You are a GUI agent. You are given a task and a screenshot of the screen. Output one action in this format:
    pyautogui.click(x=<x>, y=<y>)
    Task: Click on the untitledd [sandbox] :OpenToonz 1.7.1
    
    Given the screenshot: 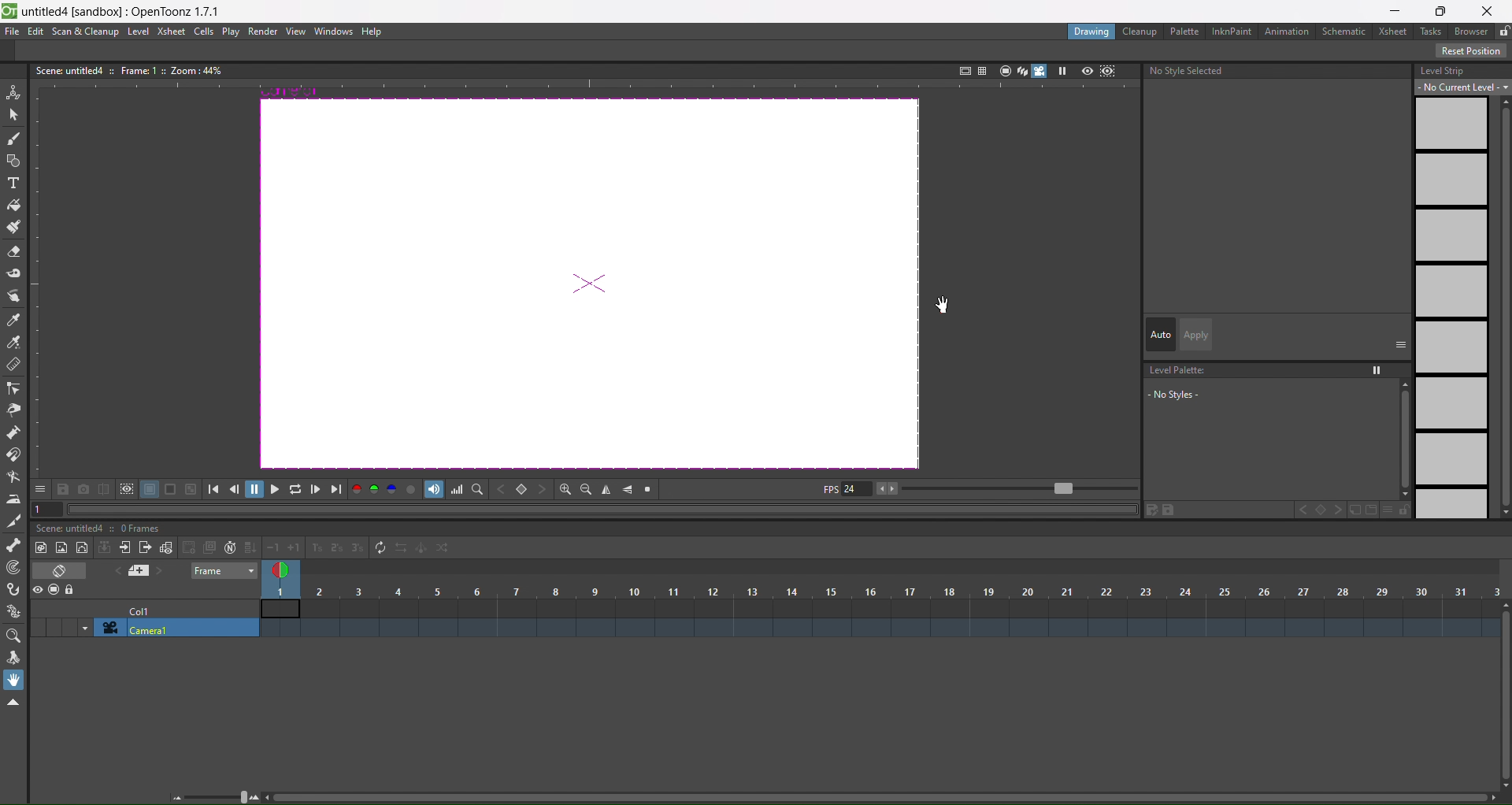 What is the action you would take?
    pyautogui.click(x=124, y=11)
    